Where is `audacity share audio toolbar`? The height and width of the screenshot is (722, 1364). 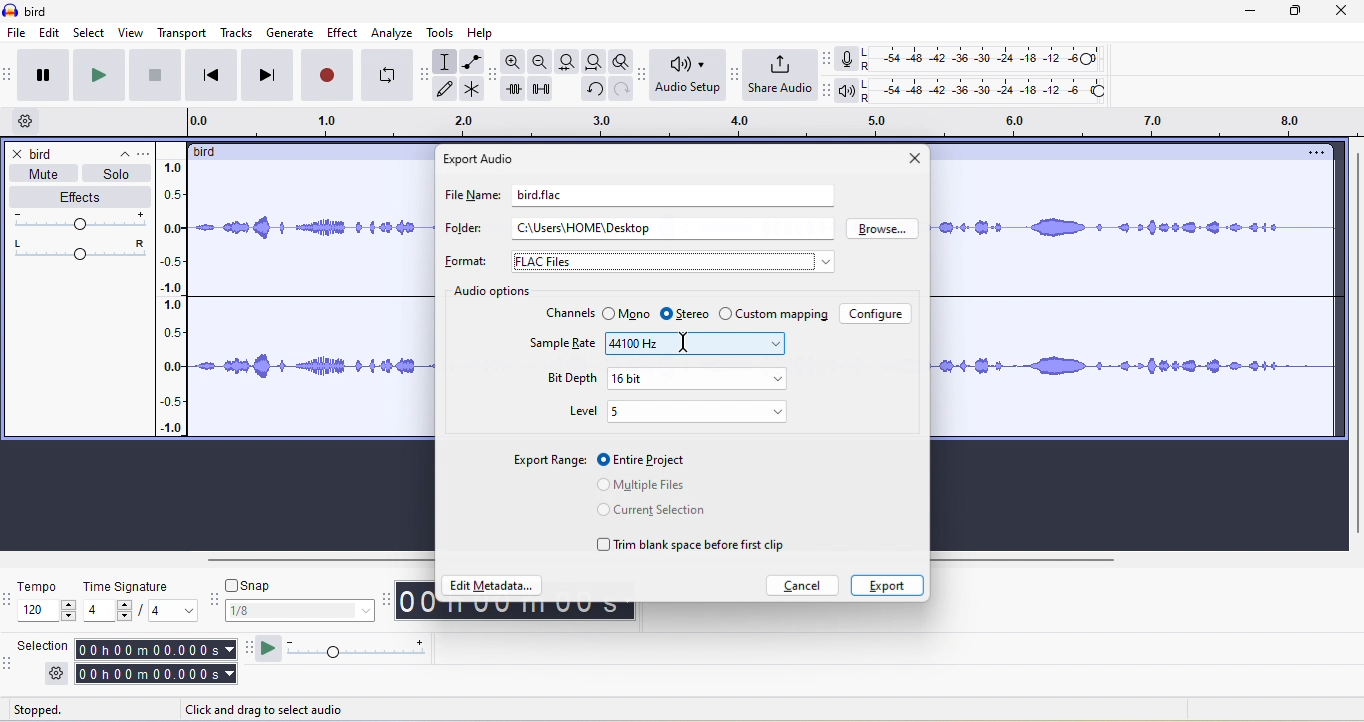
audacity share audio toolbar is located at coordinates (732, 76).